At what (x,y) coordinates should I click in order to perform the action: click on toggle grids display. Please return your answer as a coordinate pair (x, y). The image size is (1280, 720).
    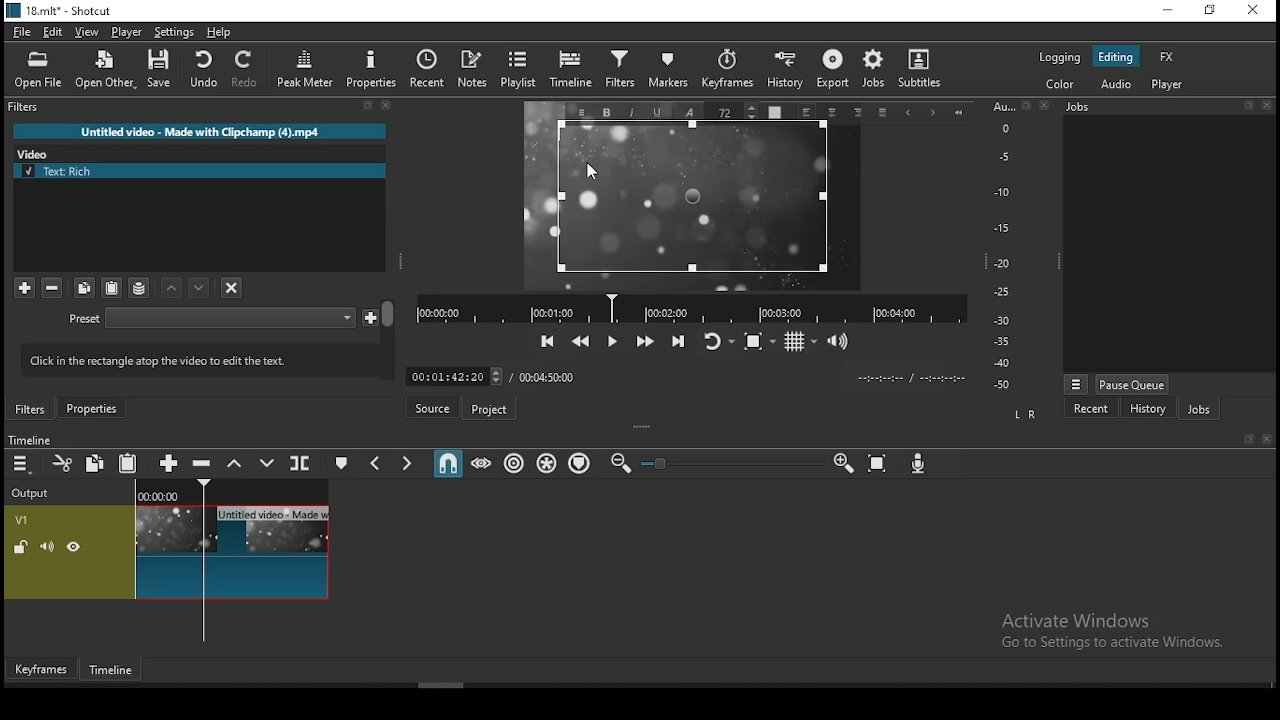
    Looking at the image, I should click on (799, 342).